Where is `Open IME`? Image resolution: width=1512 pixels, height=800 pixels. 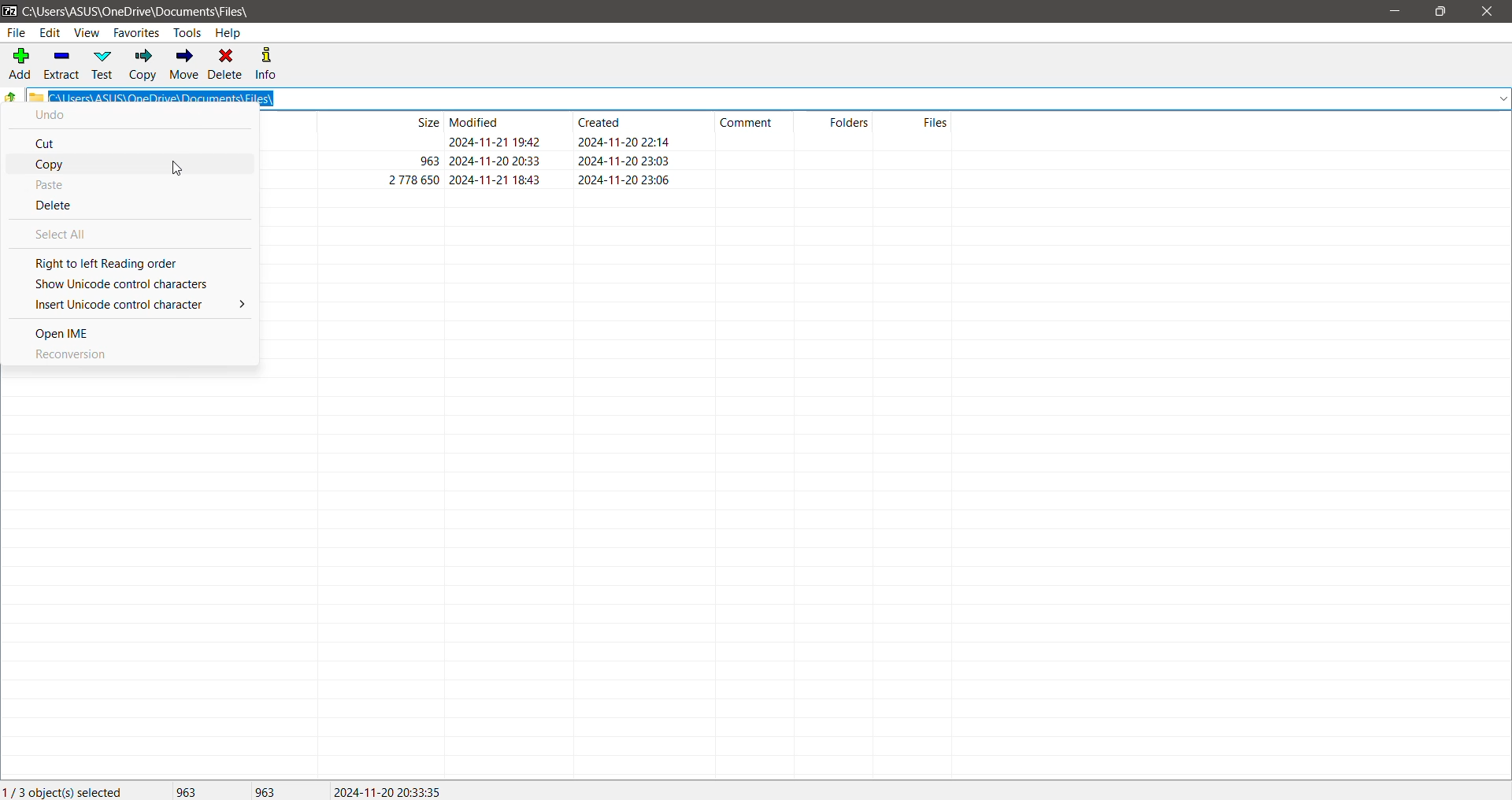
Open IME is located at coordinates (65, 332).